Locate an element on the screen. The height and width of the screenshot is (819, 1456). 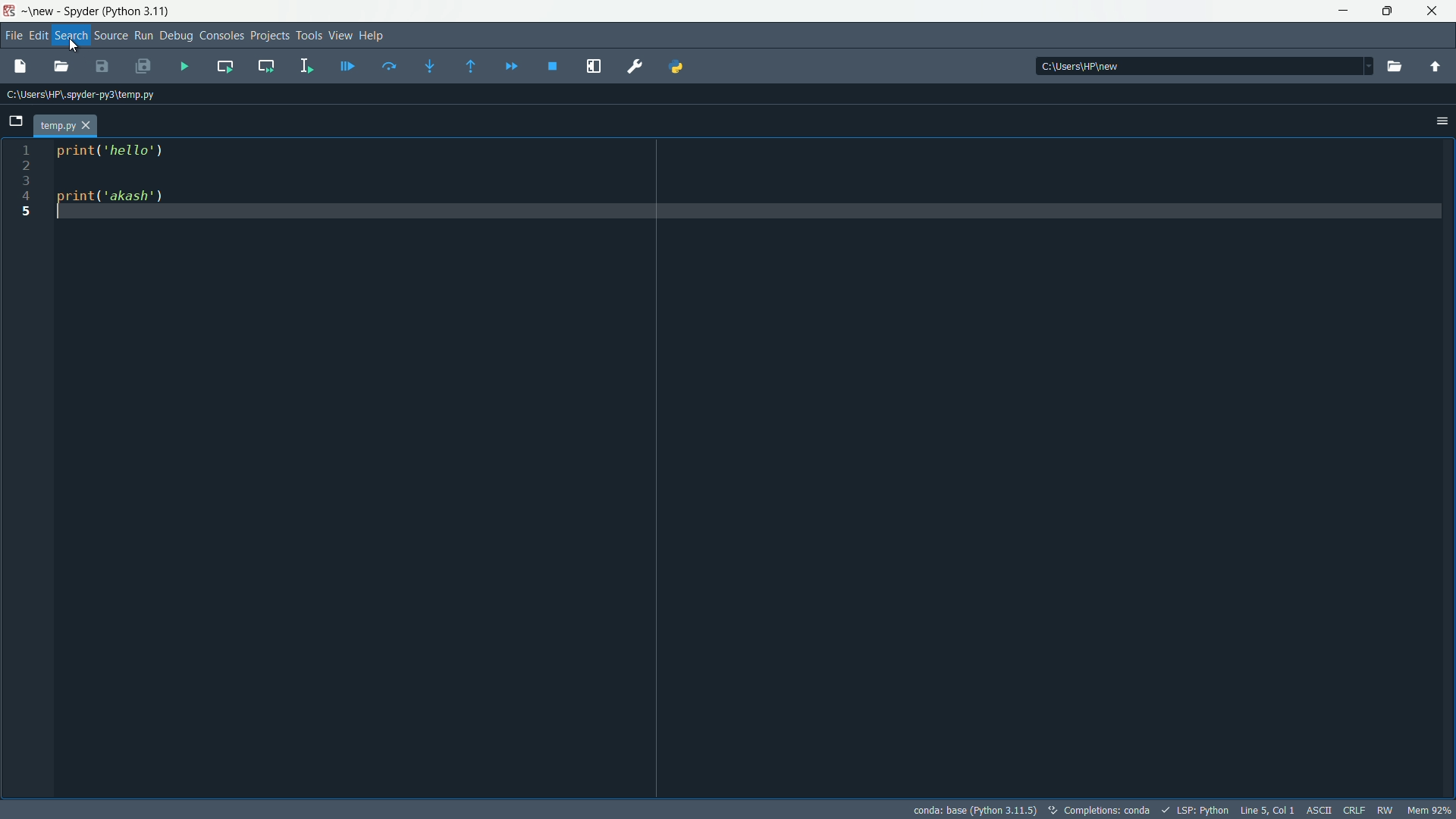
Source Button is located at coordinates (111, 36).